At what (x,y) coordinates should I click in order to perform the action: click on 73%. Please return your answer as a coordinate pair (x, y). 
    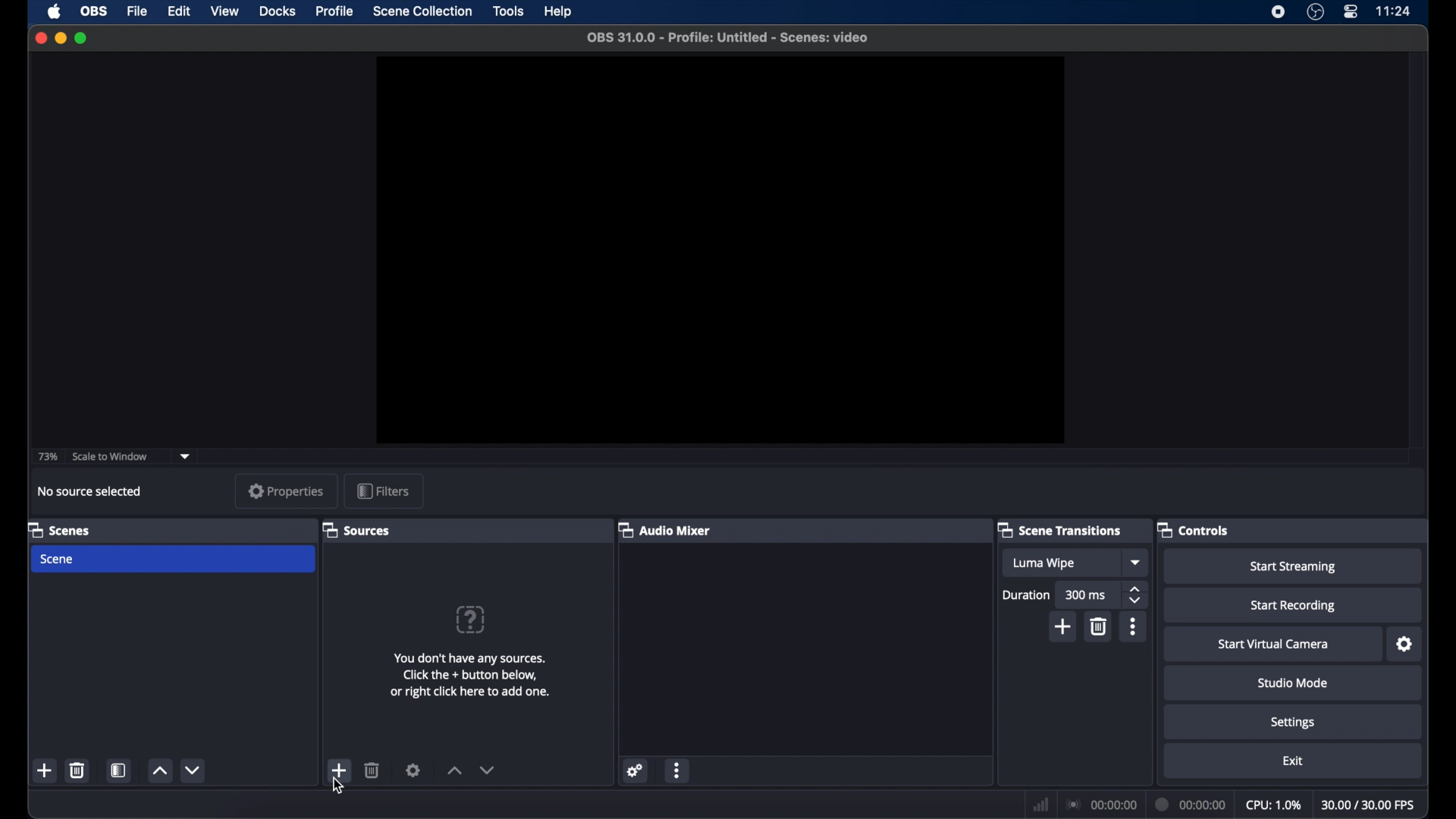
    Looking at the image, I should click on (47, 457).